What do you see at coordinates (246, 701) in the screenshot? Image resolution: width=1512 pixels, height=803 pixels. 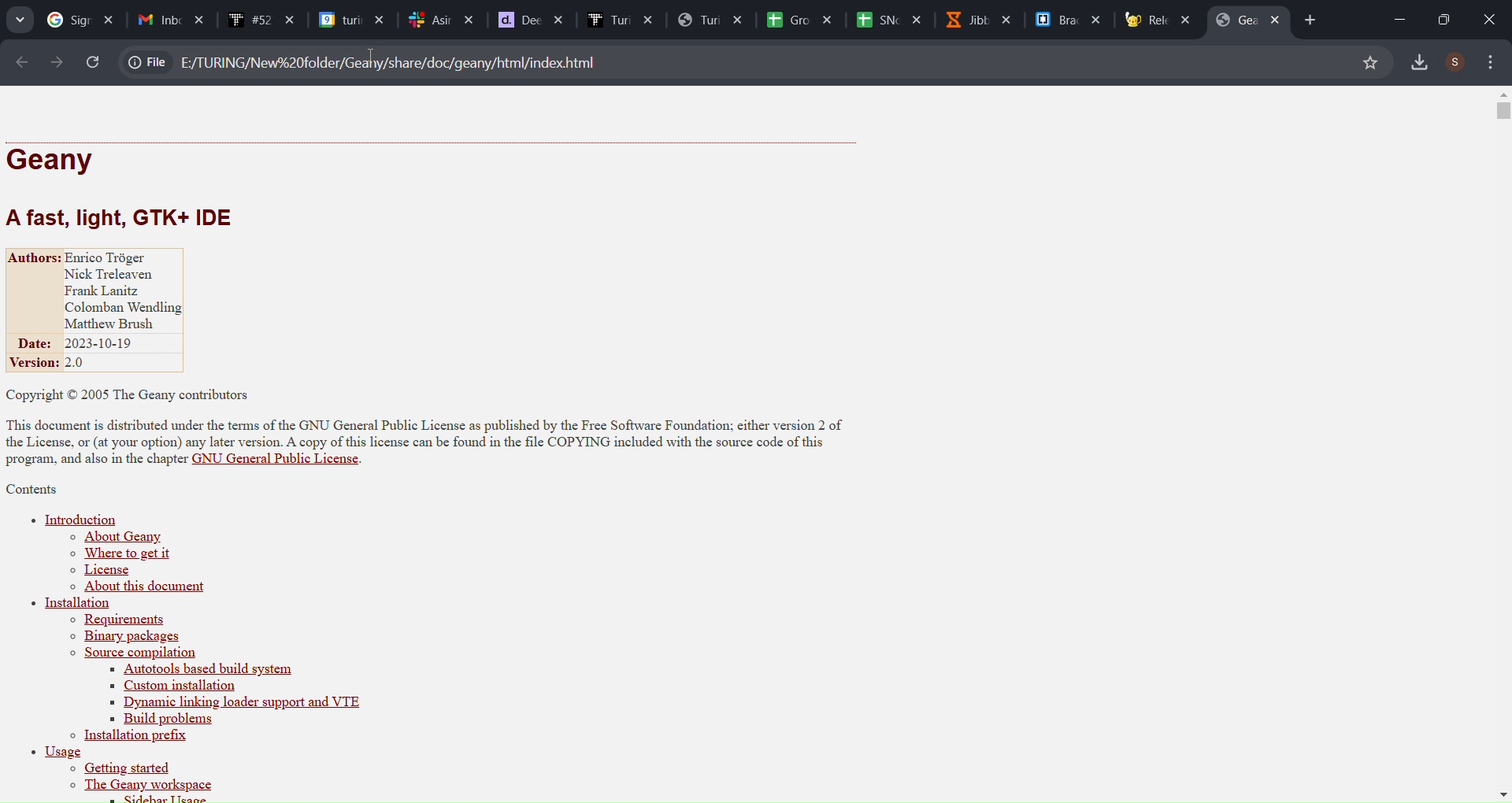 I see `dynamic linkage` at bounding box center [246, 701].